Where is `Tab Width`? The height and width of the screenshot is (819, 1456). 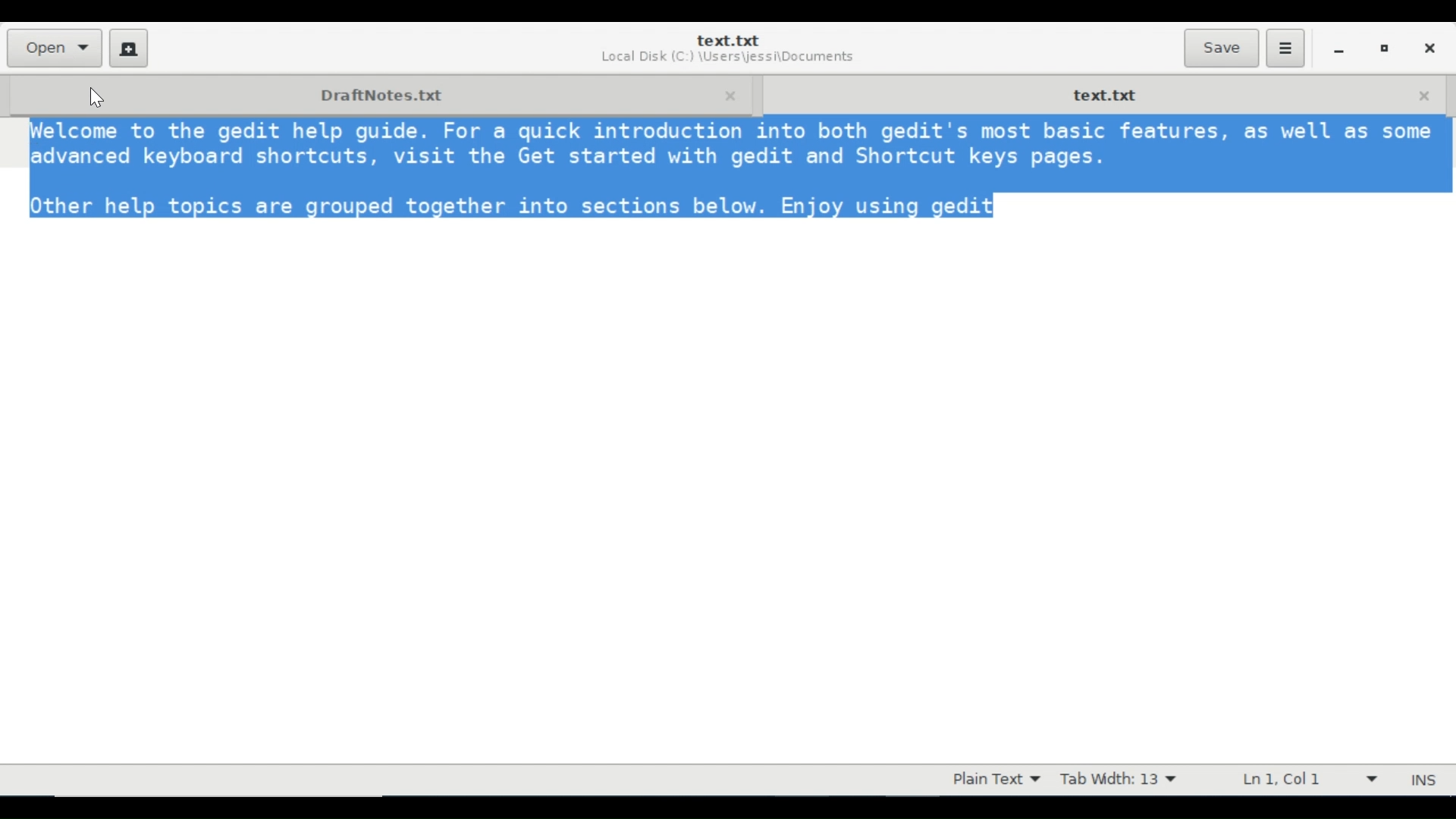
Tab Width is located at coordinates (1118, 780).